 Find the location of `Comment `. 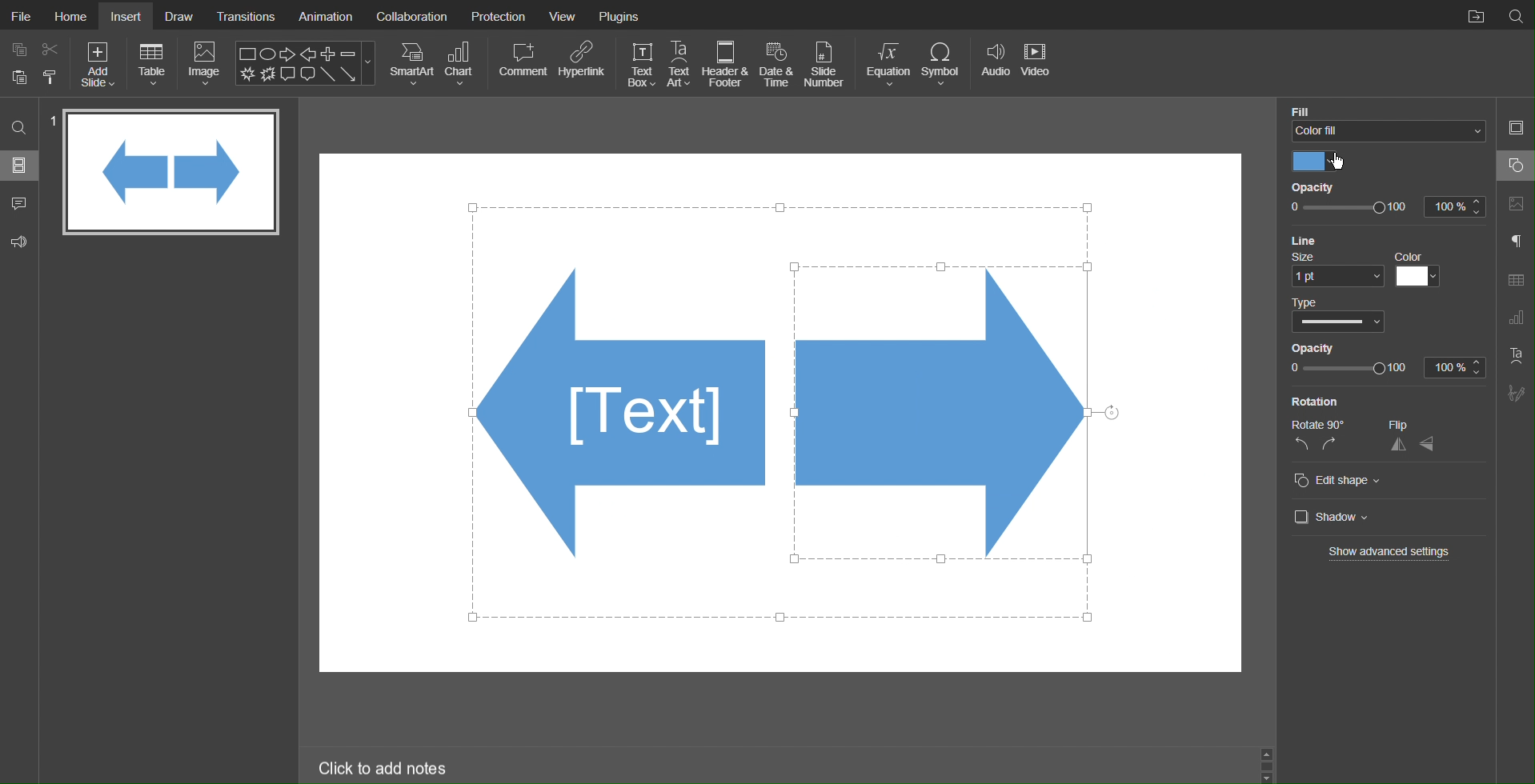

Comment  is located at coordinates (522, 64).